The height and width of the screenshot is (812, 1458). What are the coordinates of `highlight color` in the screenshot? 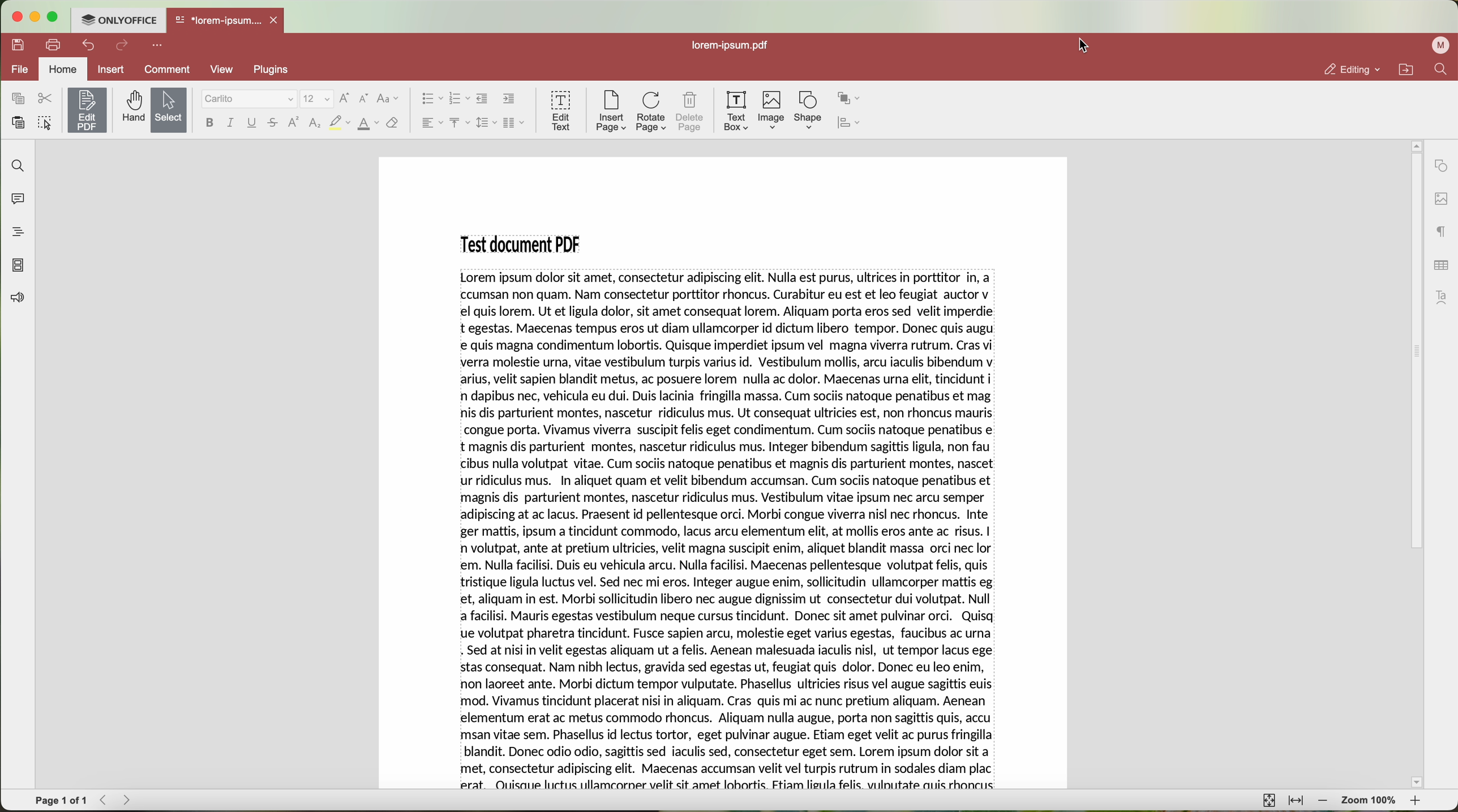 It's located at (339, 123).